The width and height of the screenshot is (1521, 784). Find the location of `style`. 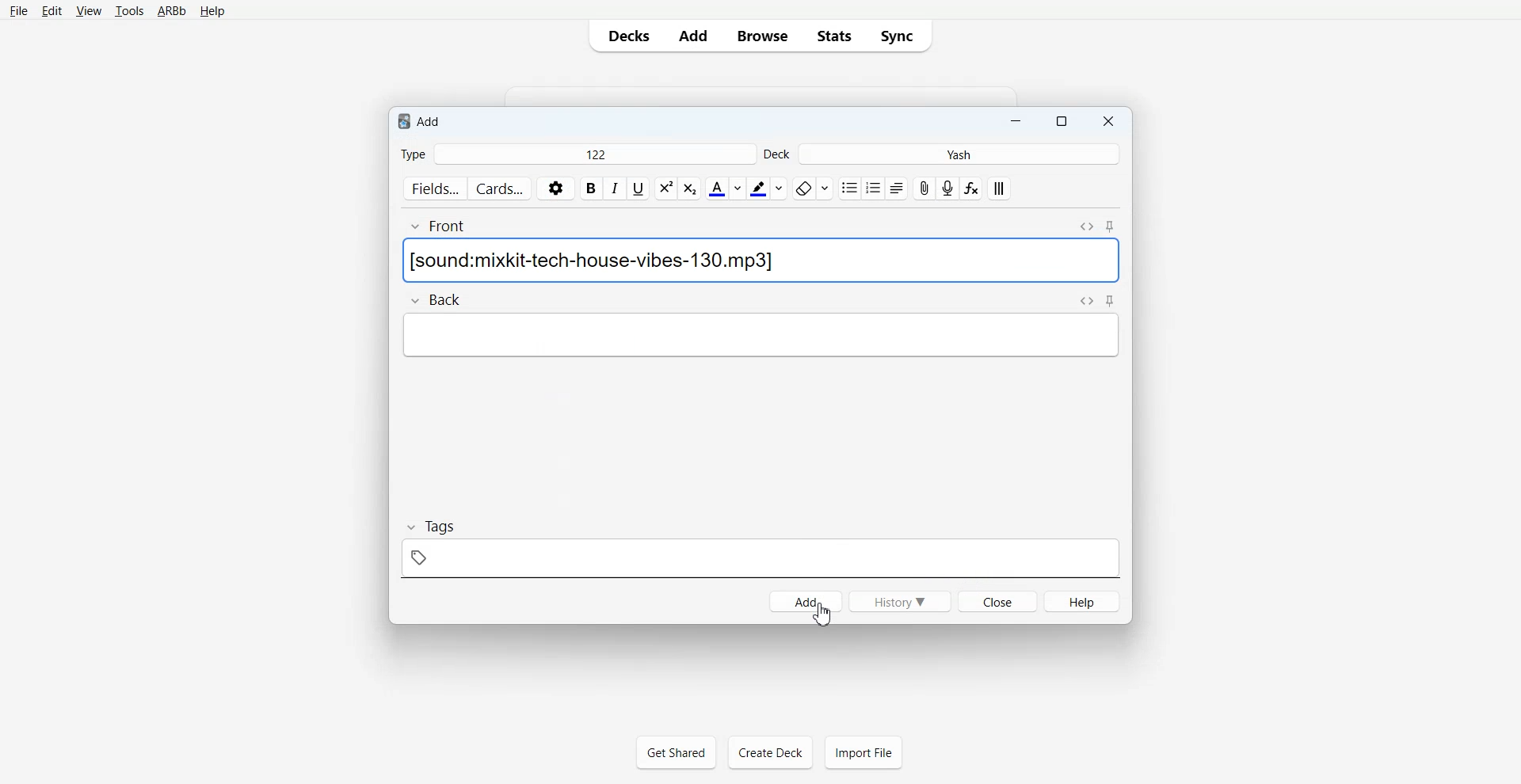

style is located at coordinates (679, 190).